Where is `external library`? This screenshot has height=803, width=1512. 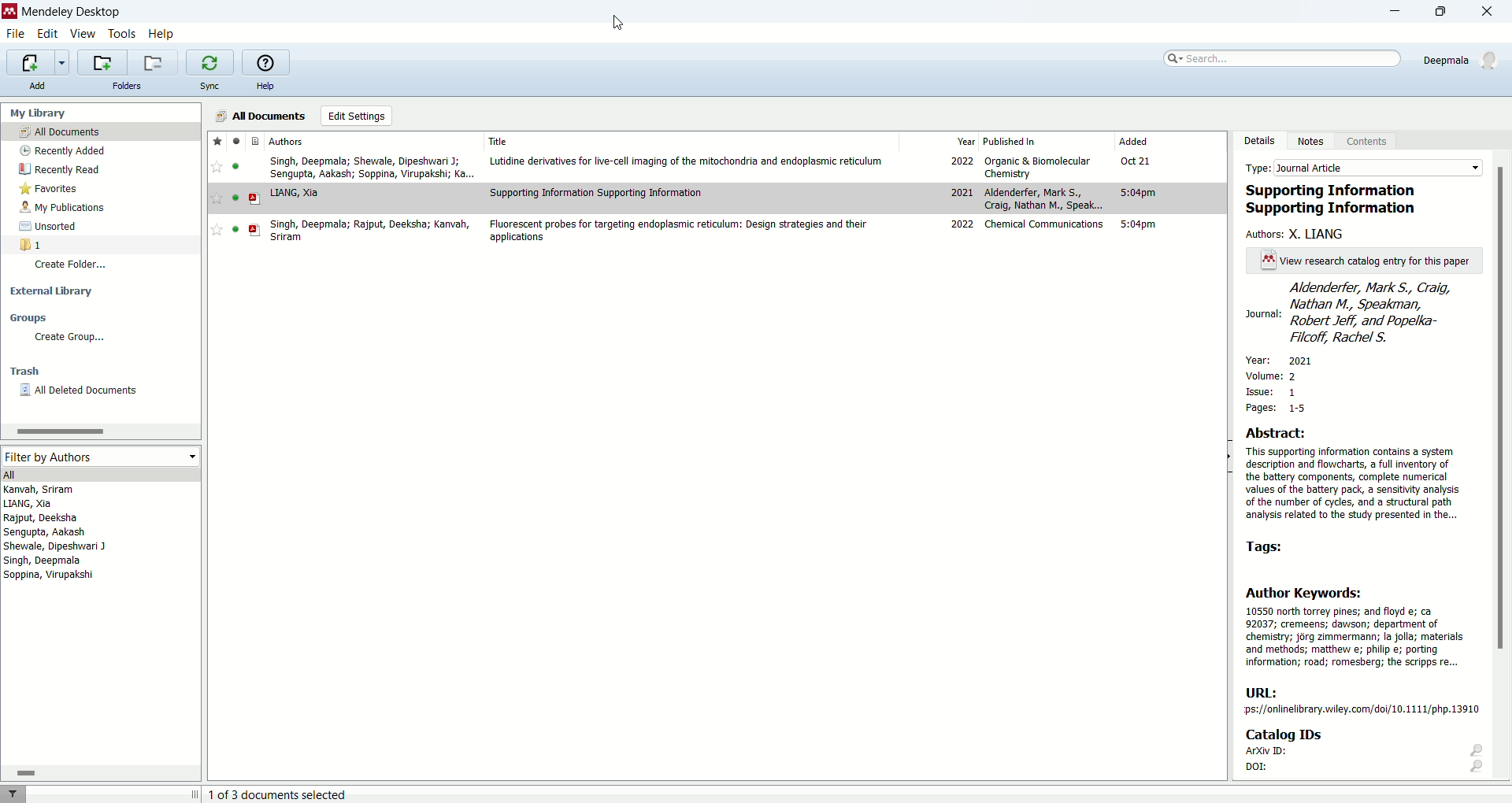
external library is located at coordinates (51, 293).